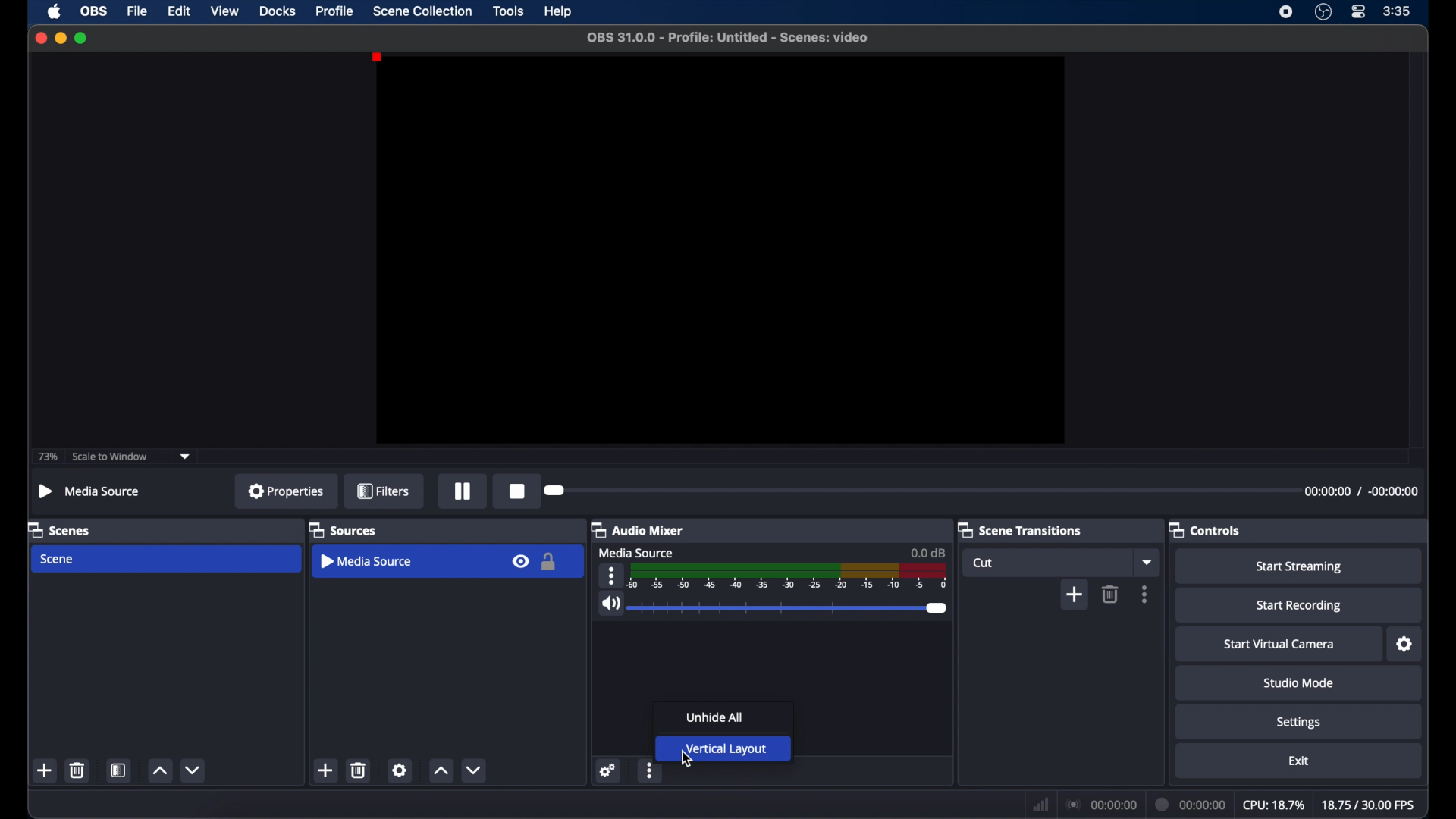 Image resolution: width=1456 pixels, height=819 pixels. I want to click on controls, so click(1205, 529).